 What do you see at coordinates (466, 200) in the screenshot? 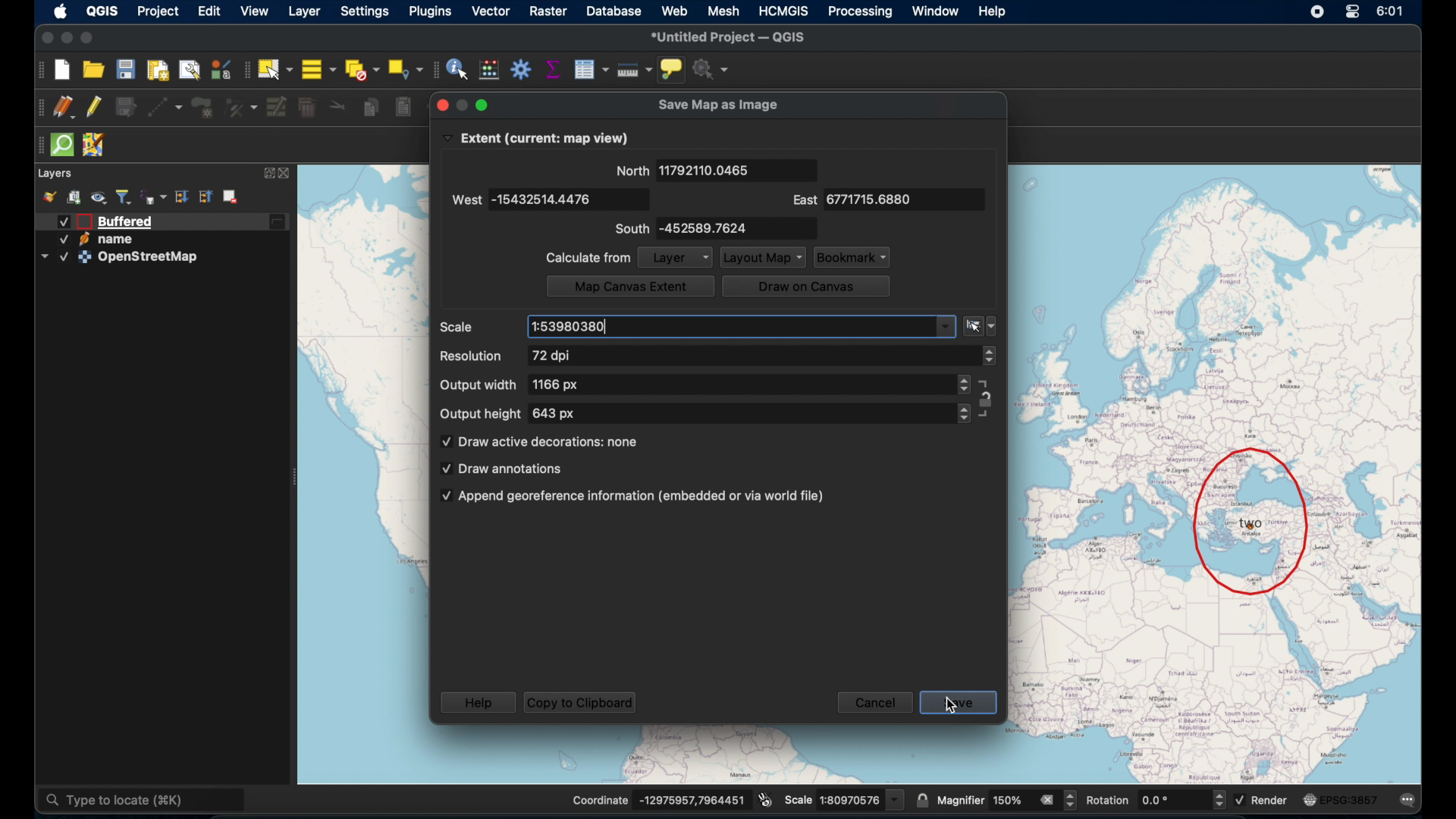
I see `west` at bounding box center [466, 200].